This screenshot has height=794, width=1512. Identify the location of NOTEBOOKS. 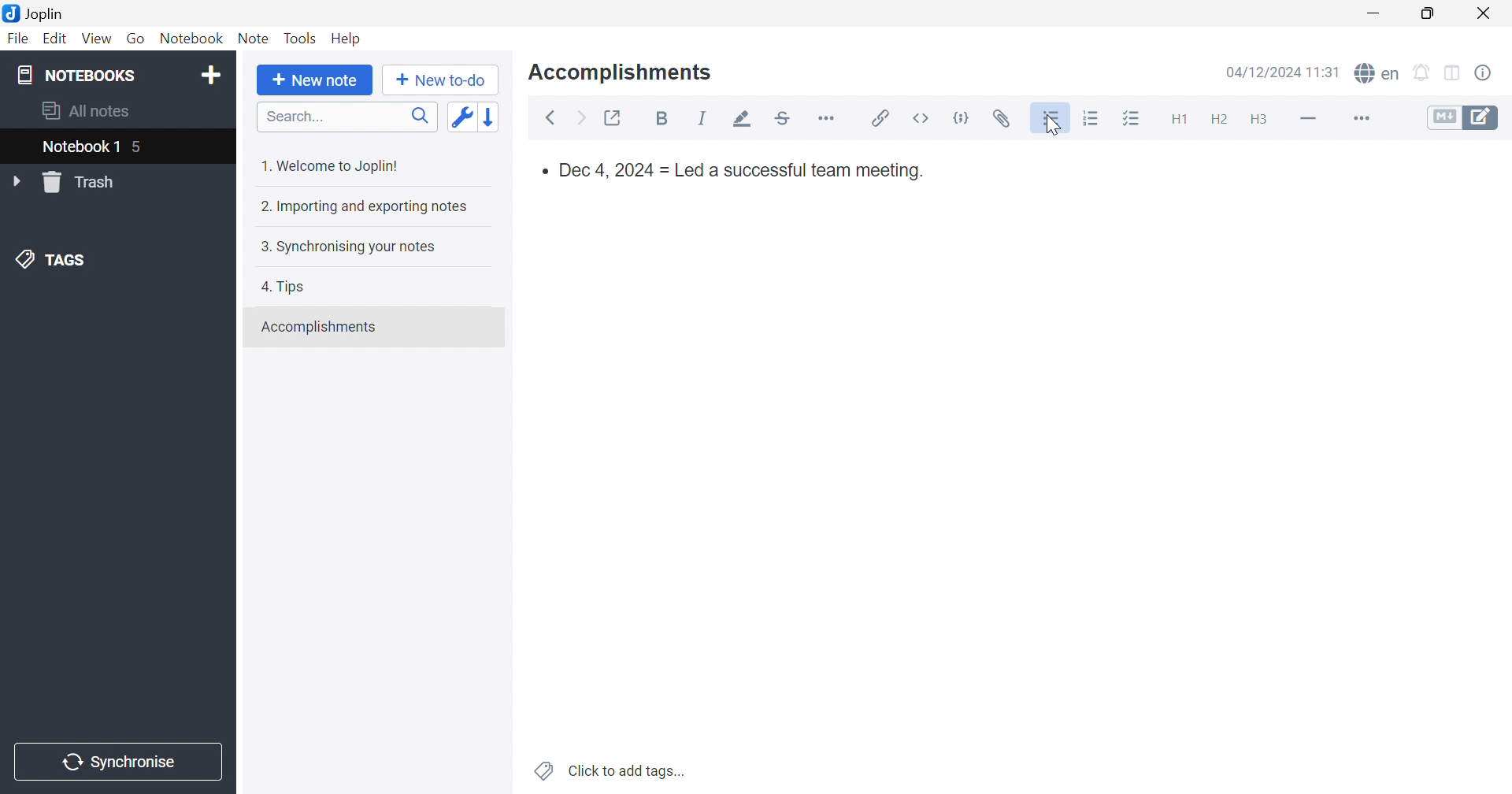
(73, 73).